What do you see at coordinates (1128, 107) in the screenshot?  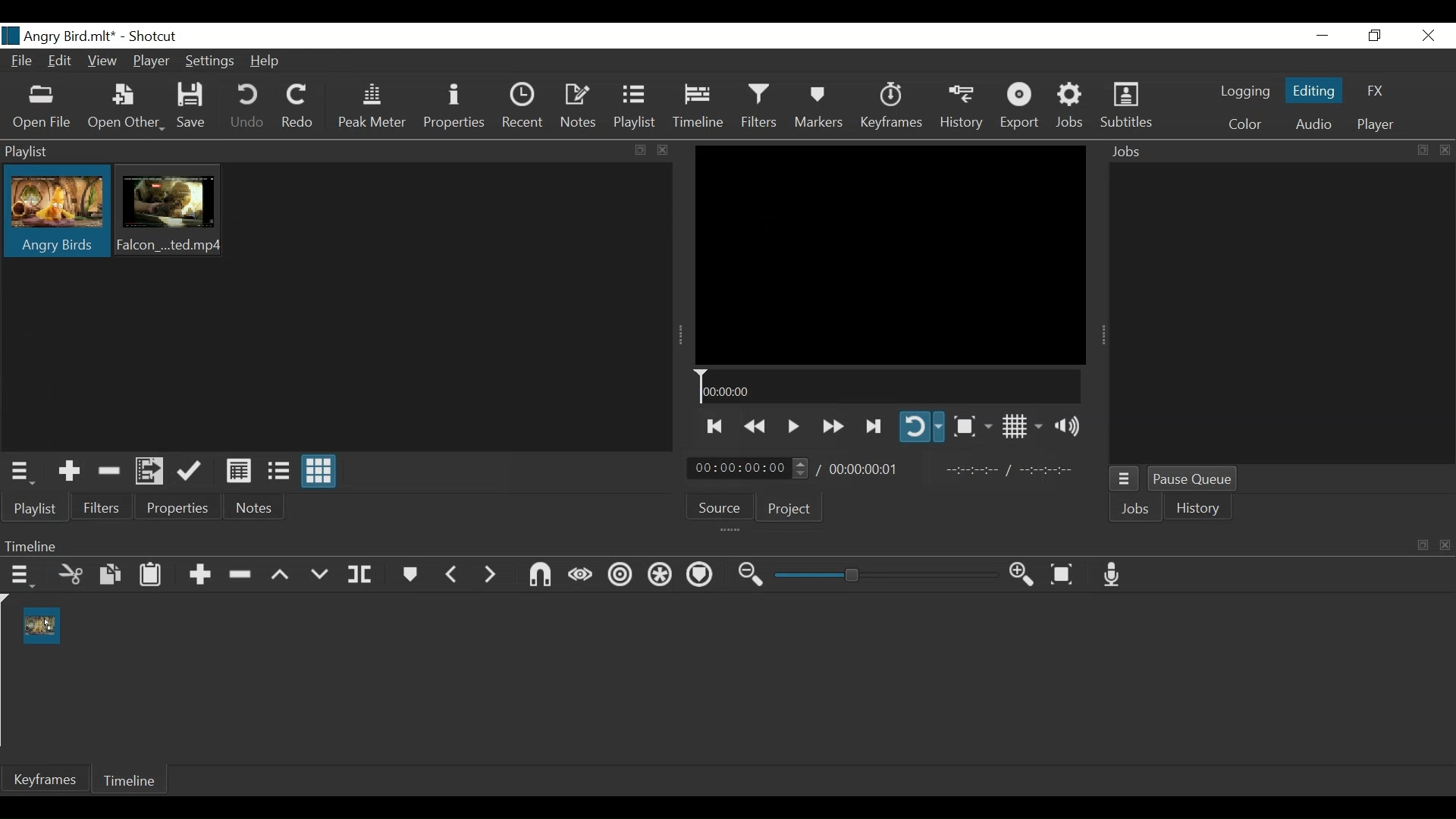 I see `Subtitles` at bounding box center [1128, 107].